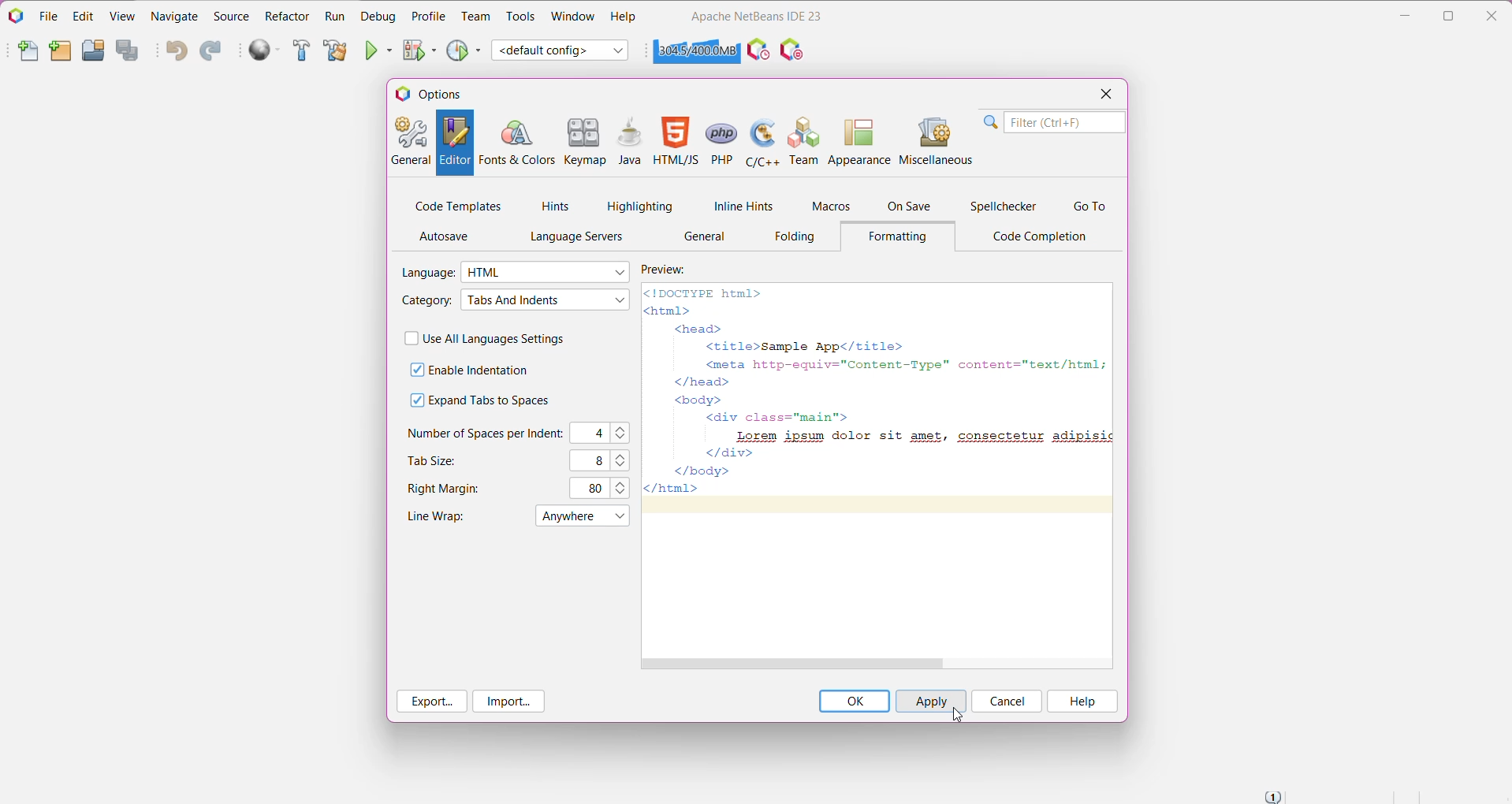  What do you see at coordinates (594, 460) in the screenshot?
I see `8` at bounding box center [594, 460].